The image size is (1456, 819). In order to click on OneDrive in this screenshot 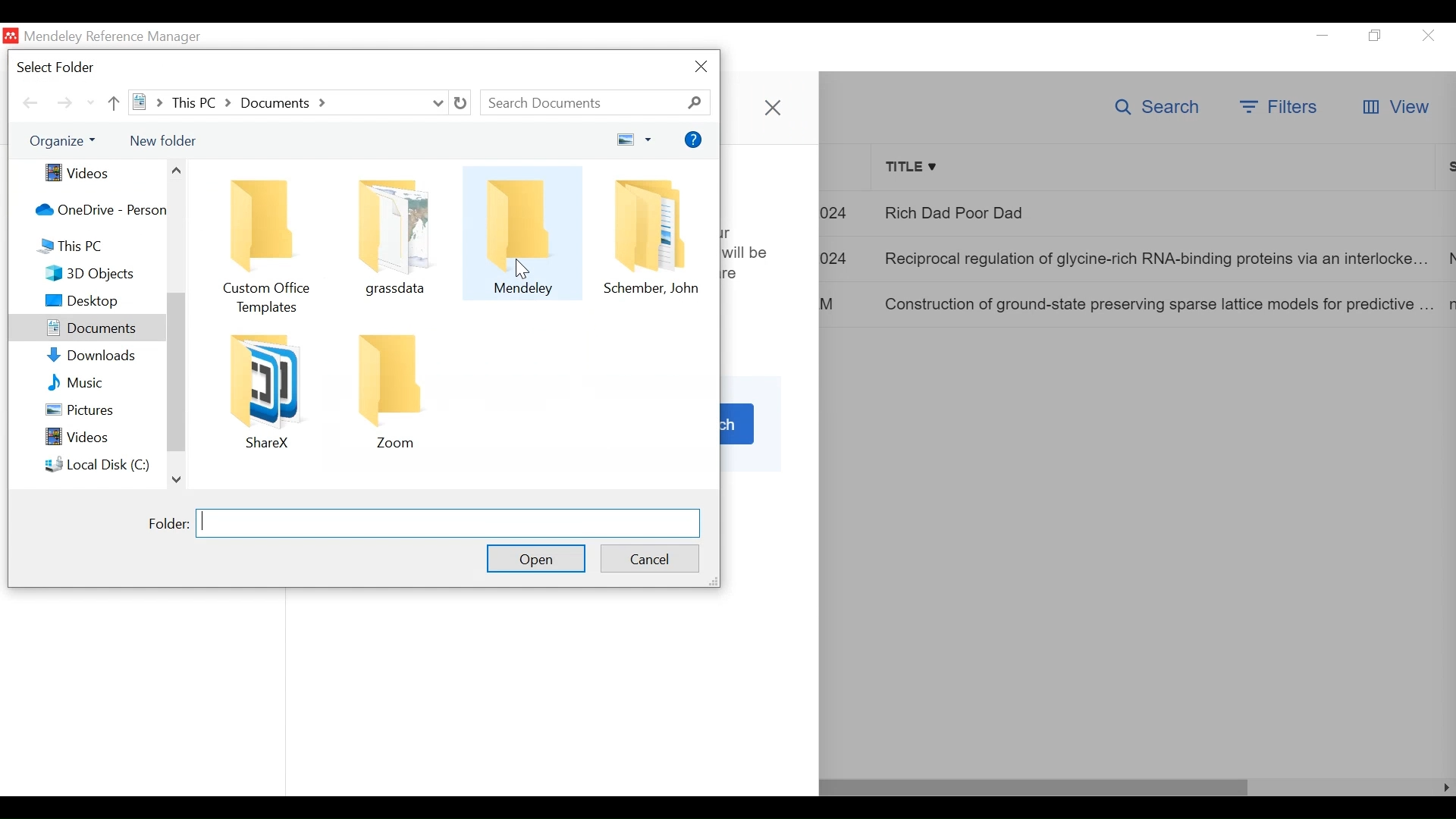, I will do `click(96, 211)`.